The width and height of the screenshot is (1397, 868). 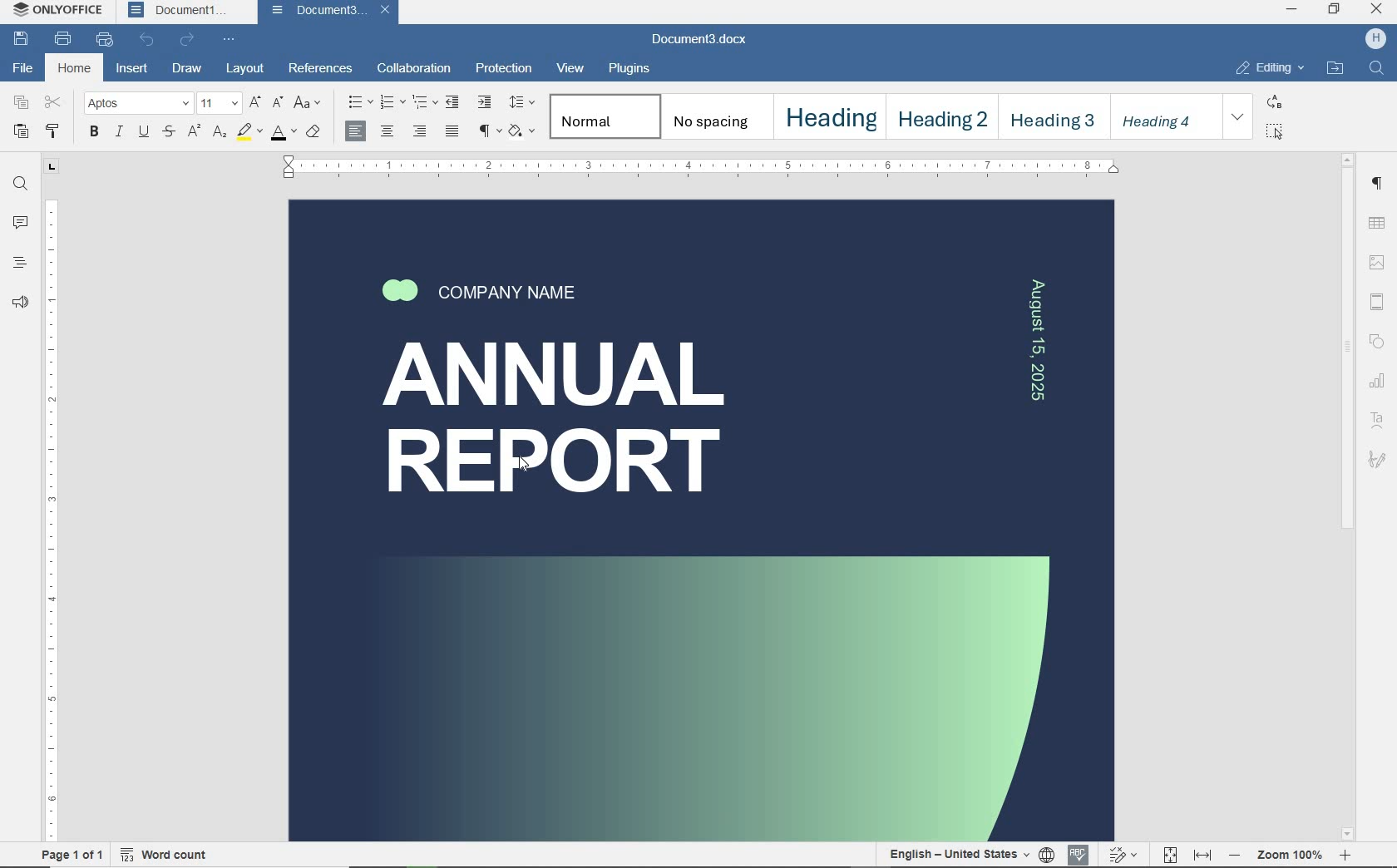 I want to click on file, so click(x=21, y=67).